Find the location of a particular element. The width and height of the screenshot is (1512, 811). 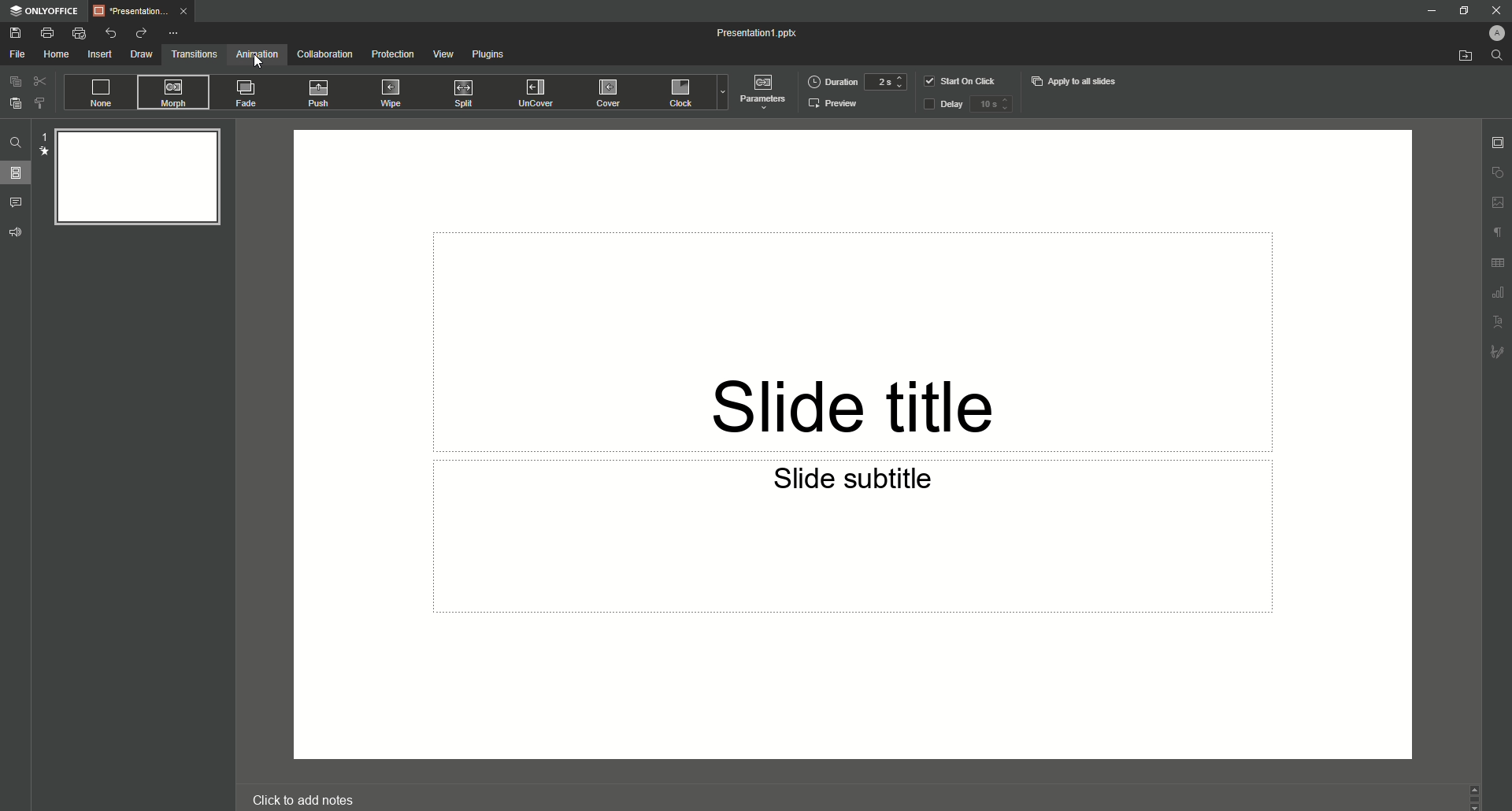

Fade is located at coordinates (243, 94).